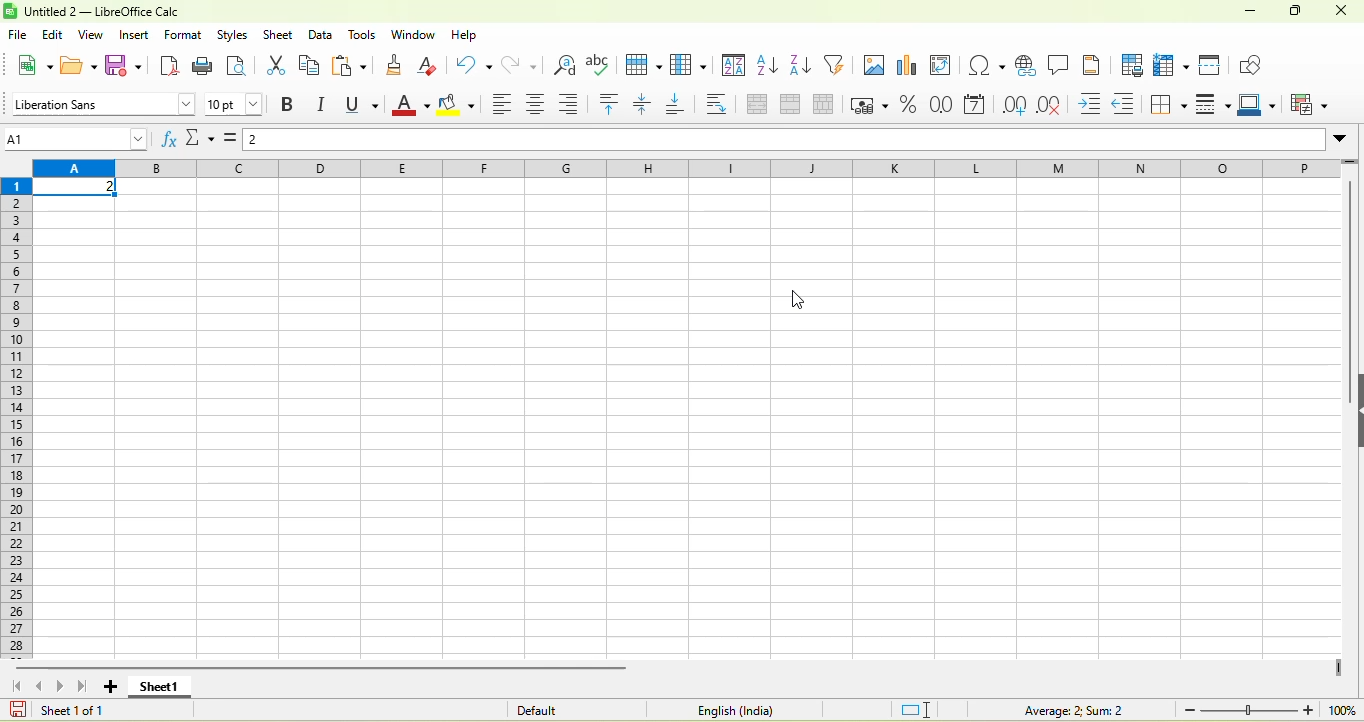 The width and height of the screenshot is (1364, 722). What do you see at coordinates (100, 103) in the screenshot?
I see `font style` at bounding box center [100, 103].